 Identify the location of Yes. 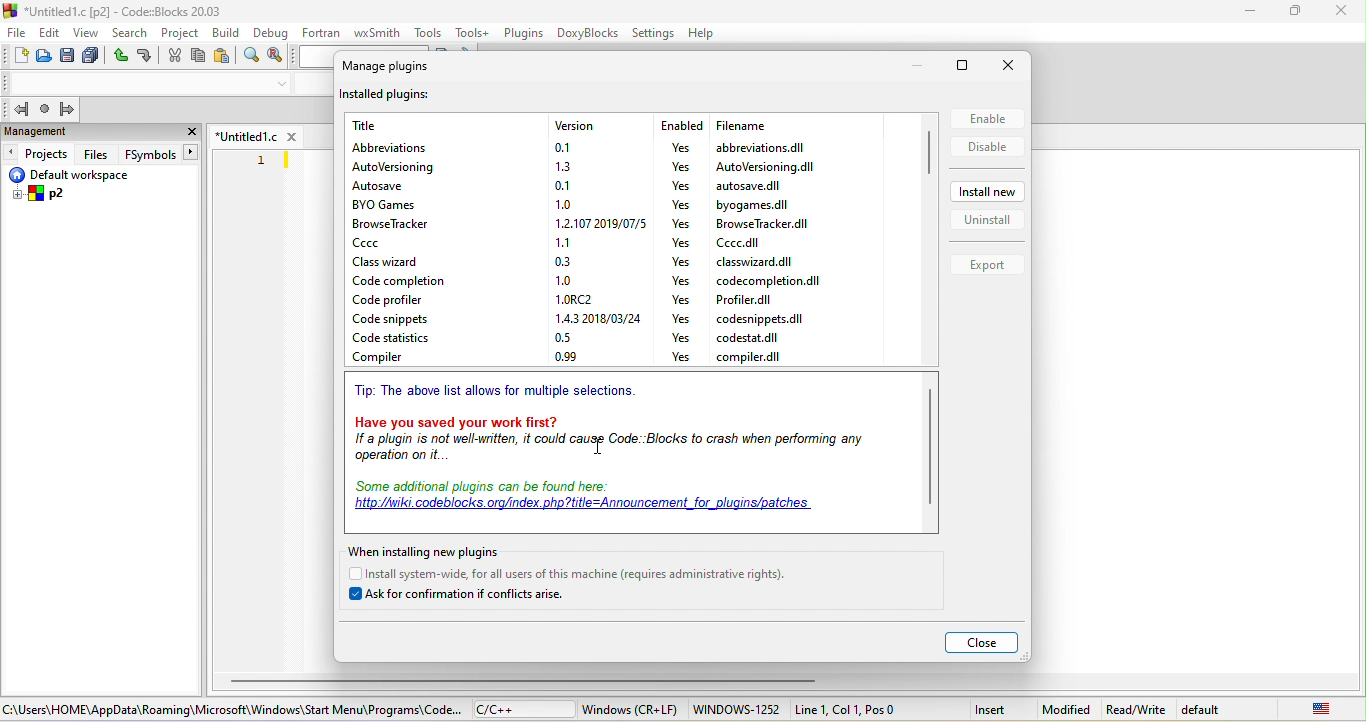
(676, 187).